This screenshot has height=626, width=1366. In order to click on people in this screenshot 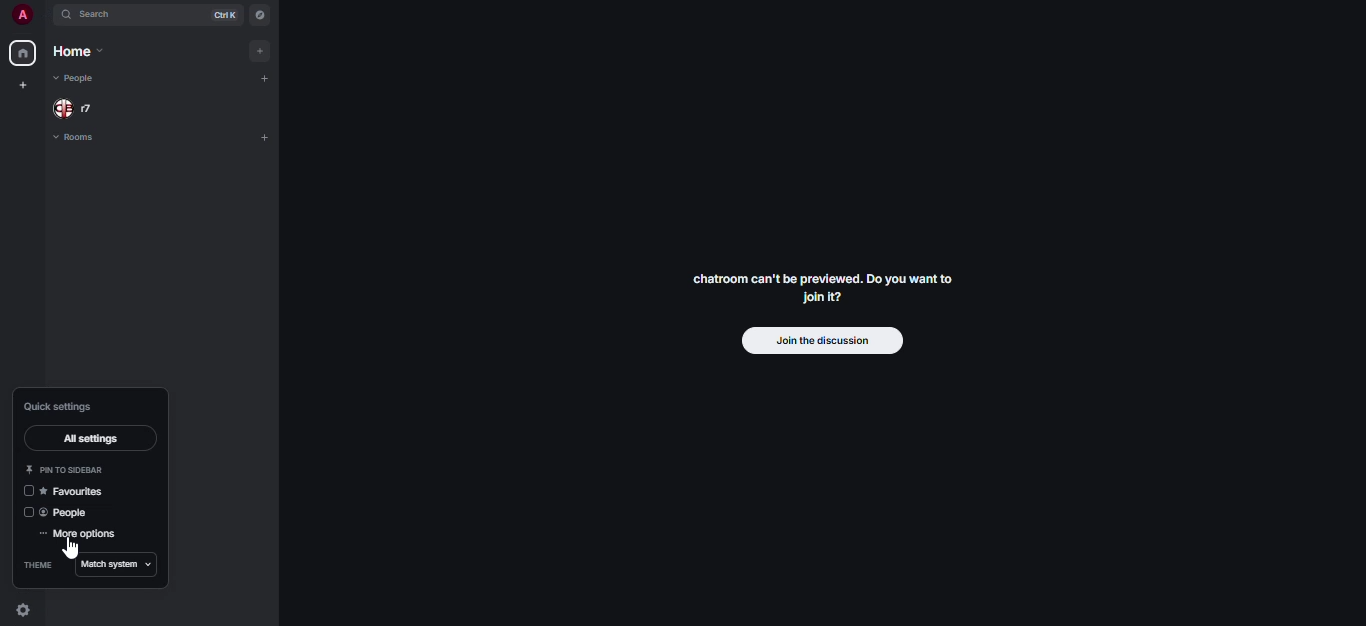, I will do `click(78, 109)`.